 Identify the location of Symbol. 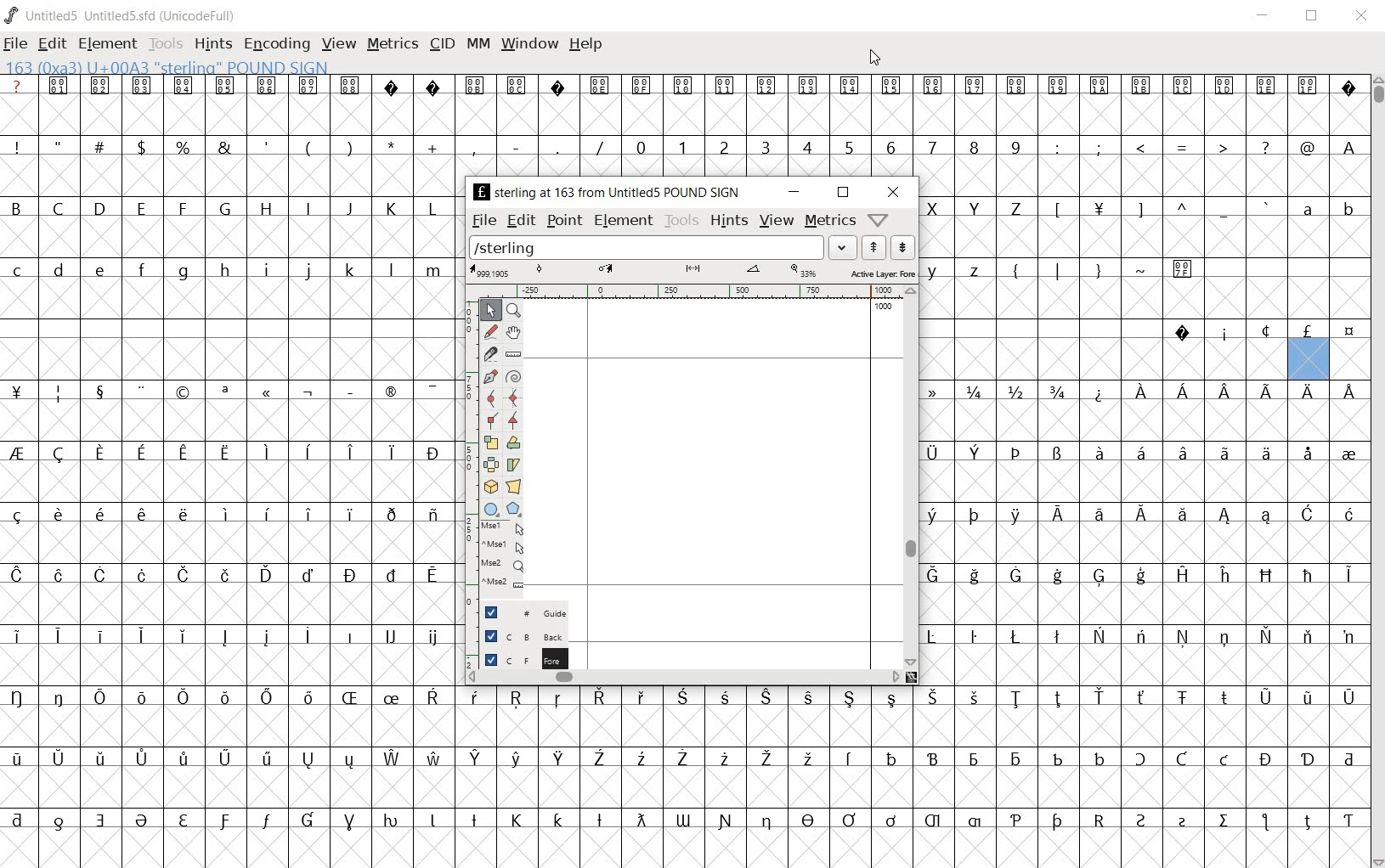
(768, 85).